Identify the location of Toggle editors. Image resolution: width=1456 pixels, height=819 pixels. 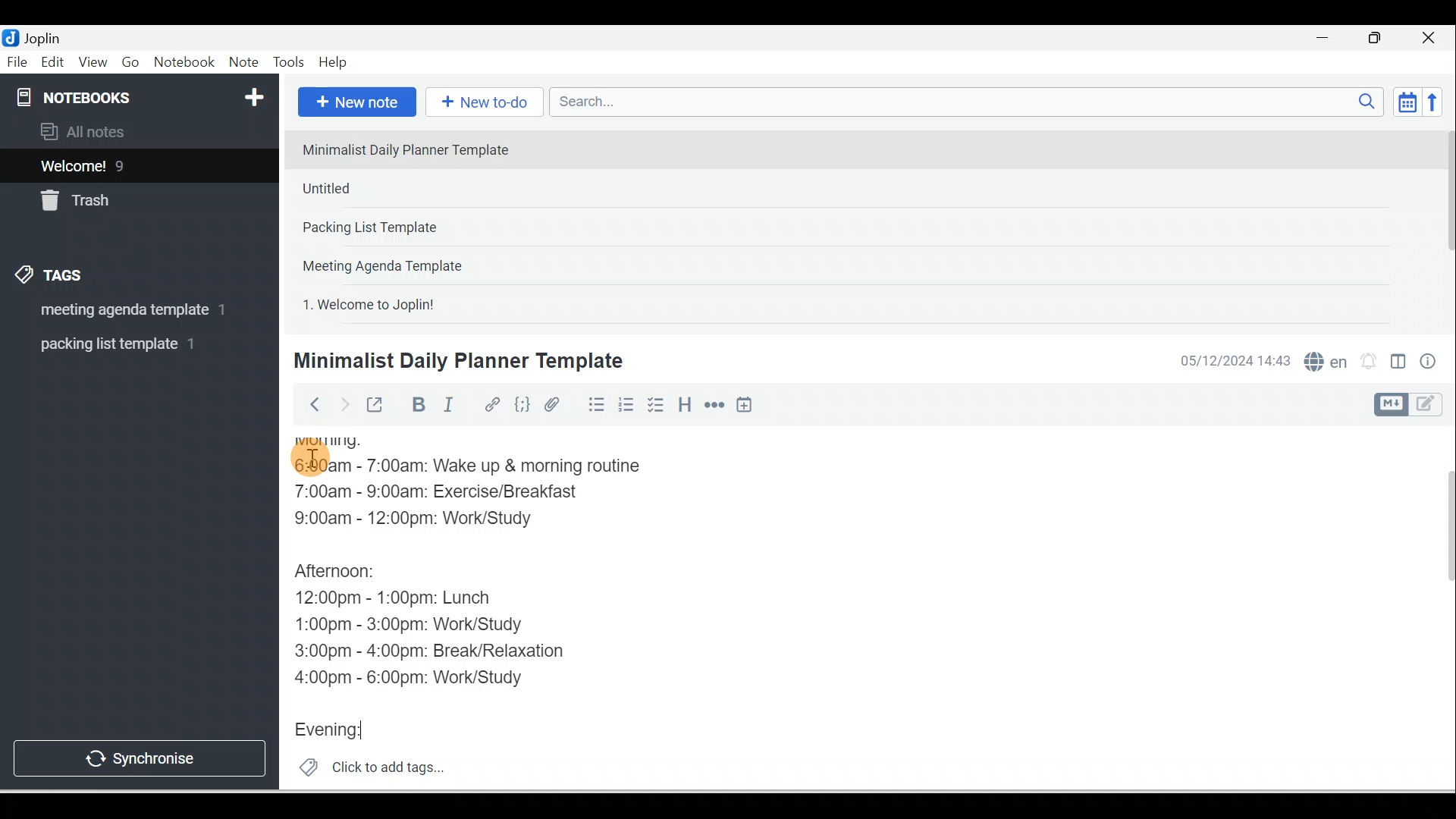
(1398, 364).